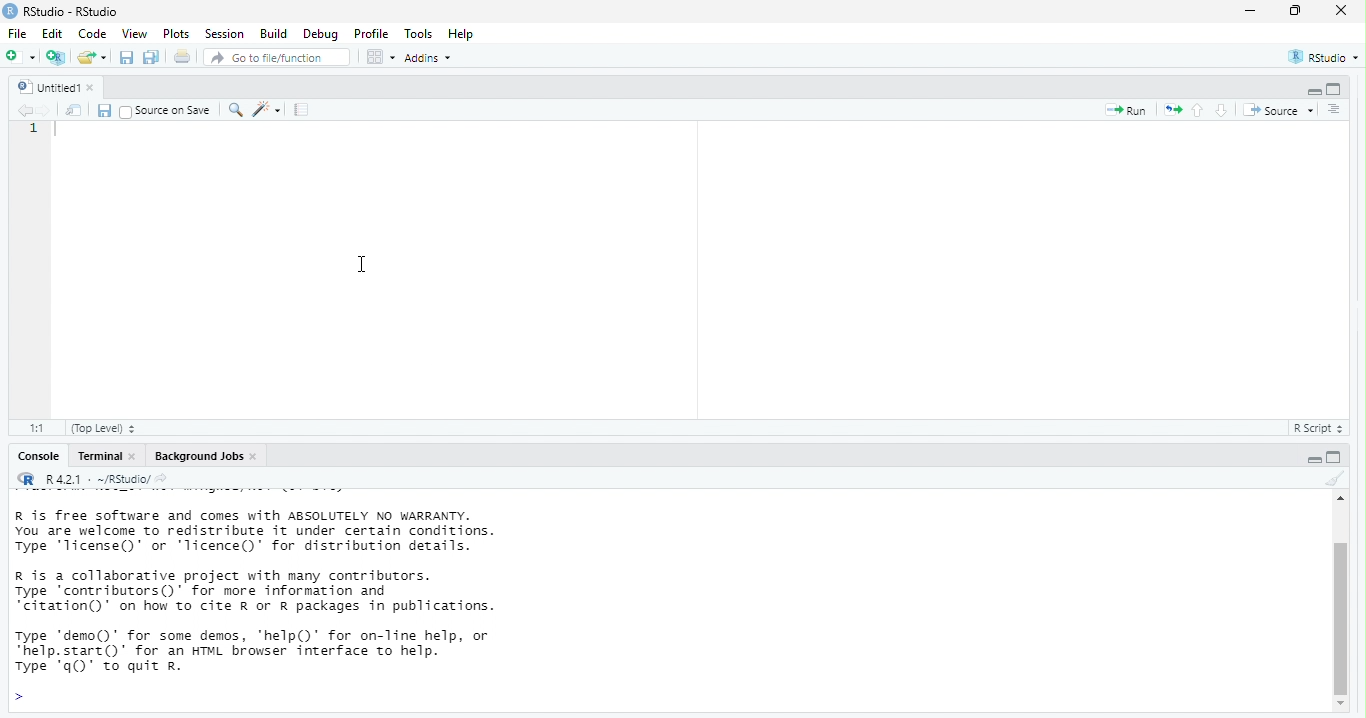 The height and width of the screenshot is (718, 1366). What do you see at coordinates (466, 33) in the screenshot?
I see `help` at bounding box center [466, 33].